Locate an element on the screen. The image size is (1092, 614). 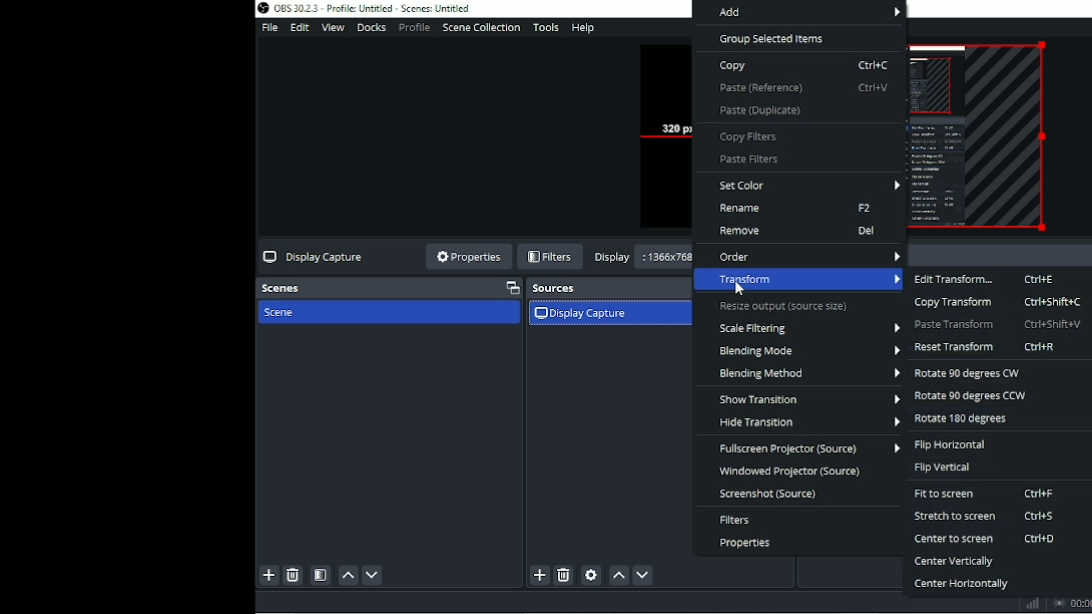
Open source properties is located at coordinates (591, 575).